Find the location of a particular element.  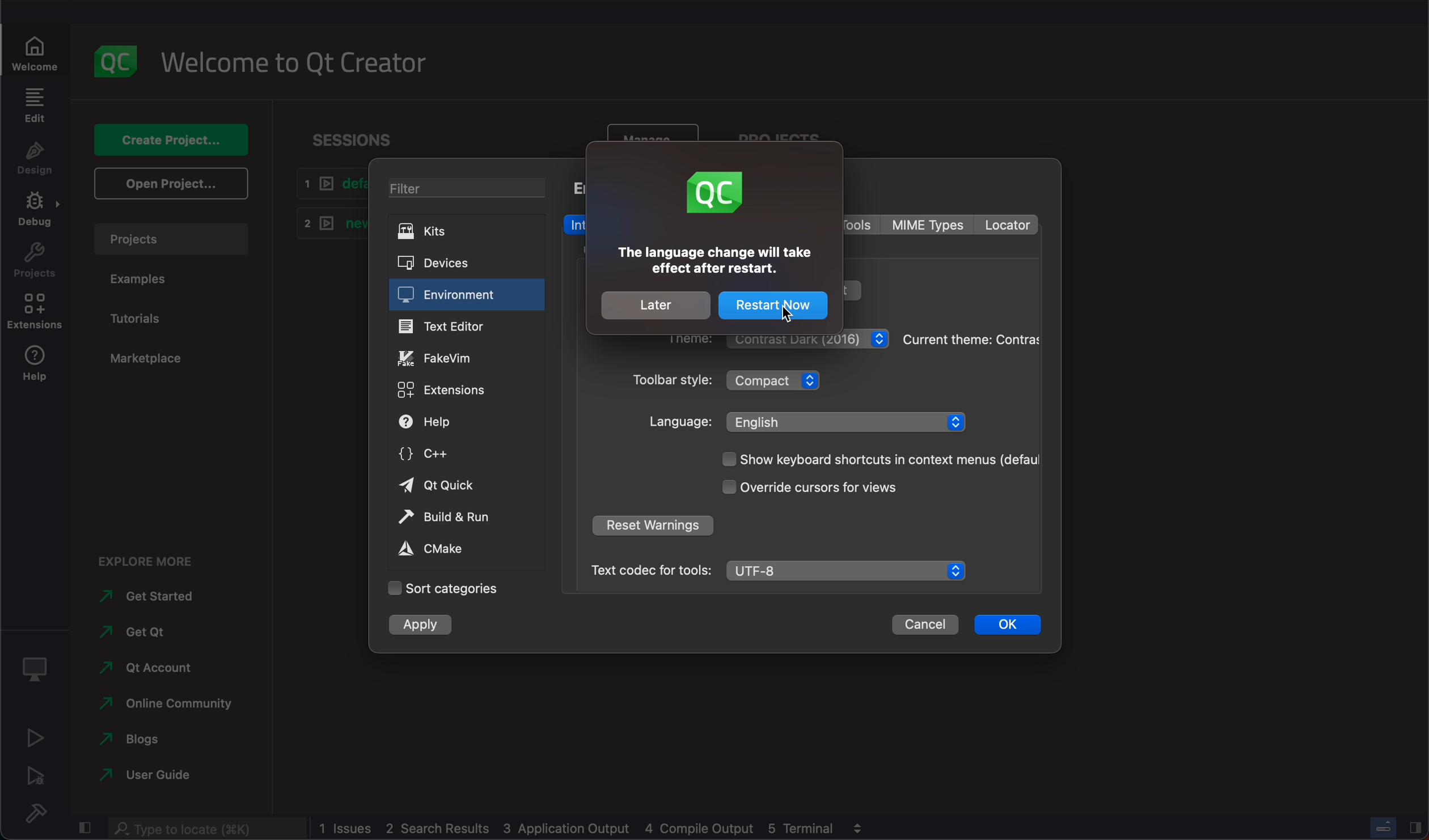

guide is located at coordinates (142, 775).